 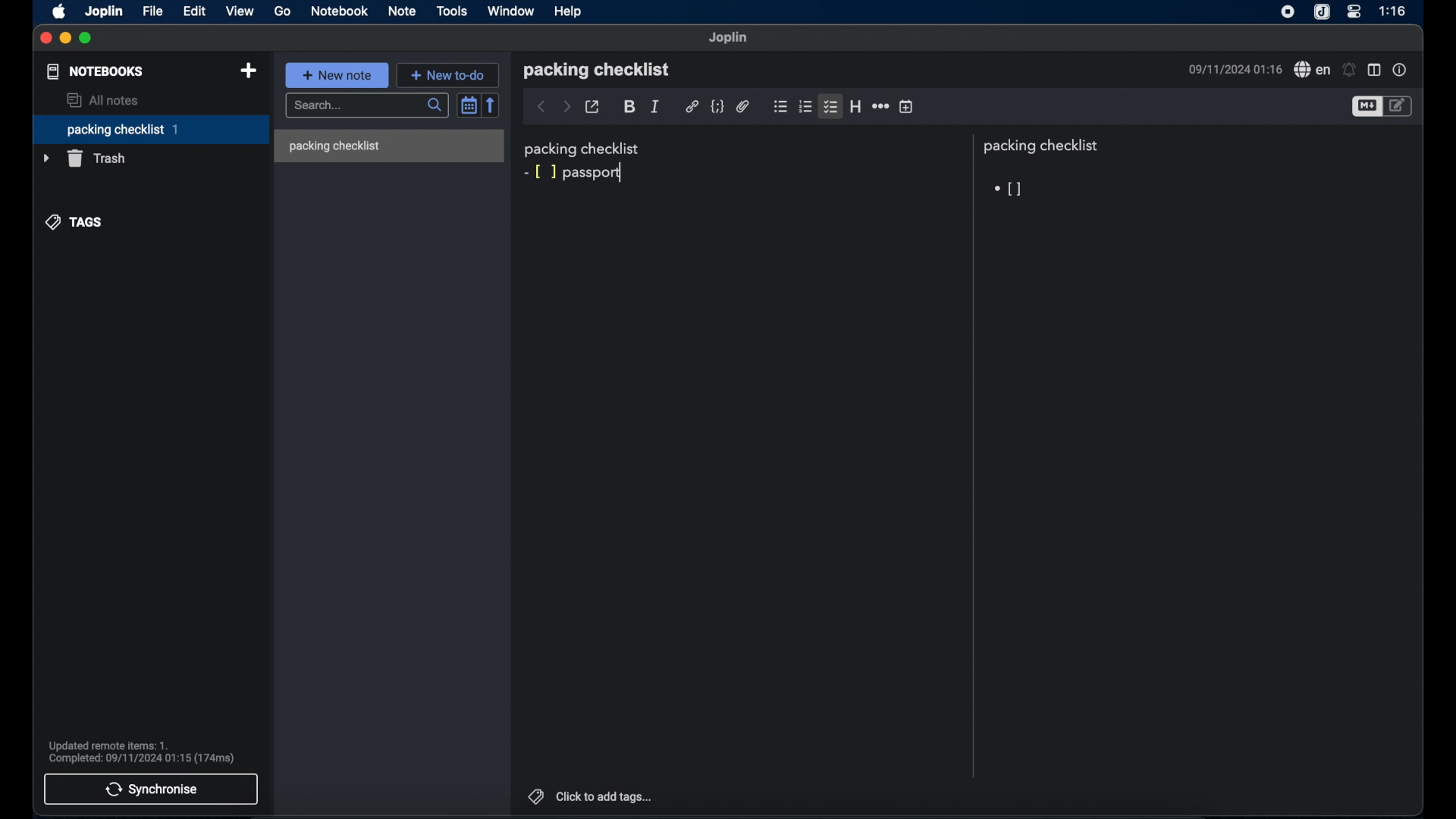 I want to click on window, so click(x=510, y=11).